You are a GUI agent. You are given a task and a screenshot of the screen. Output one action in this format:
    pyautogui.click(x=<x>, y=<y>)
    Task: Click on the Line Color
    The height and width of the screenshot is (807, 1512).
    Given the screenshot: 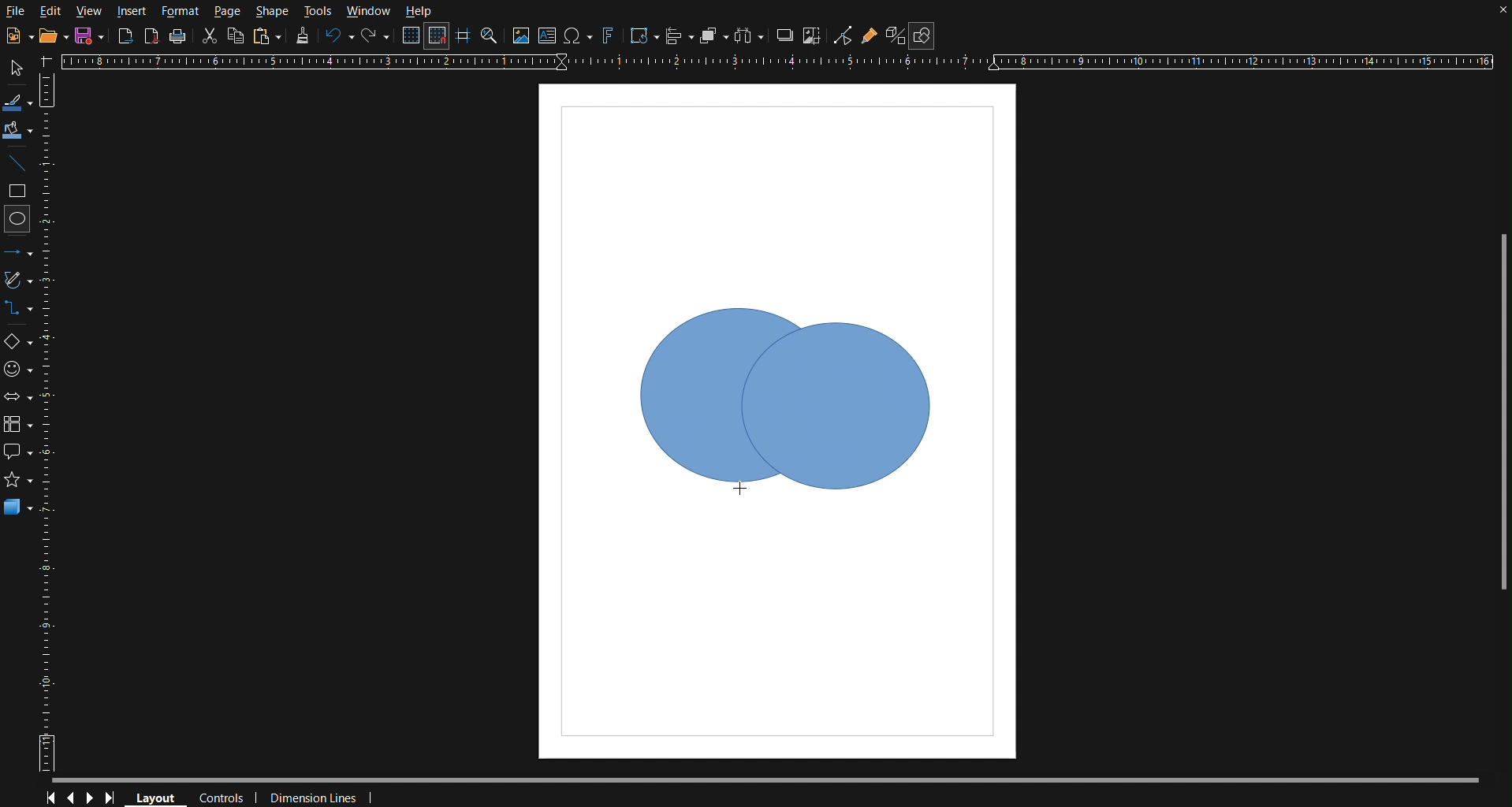 What is the action you would take?
    pyautogui.click(x=20, y=101)
    